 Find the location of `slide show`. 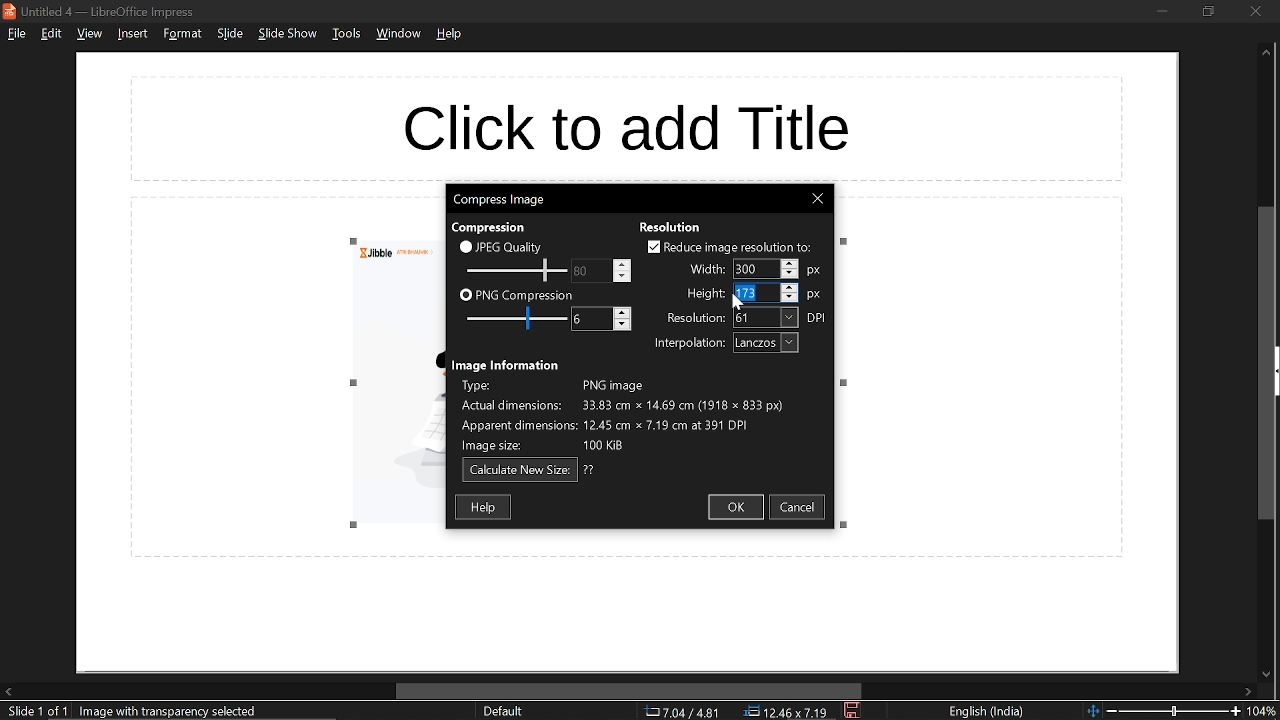

slide show is located at coordinates (288, 36).